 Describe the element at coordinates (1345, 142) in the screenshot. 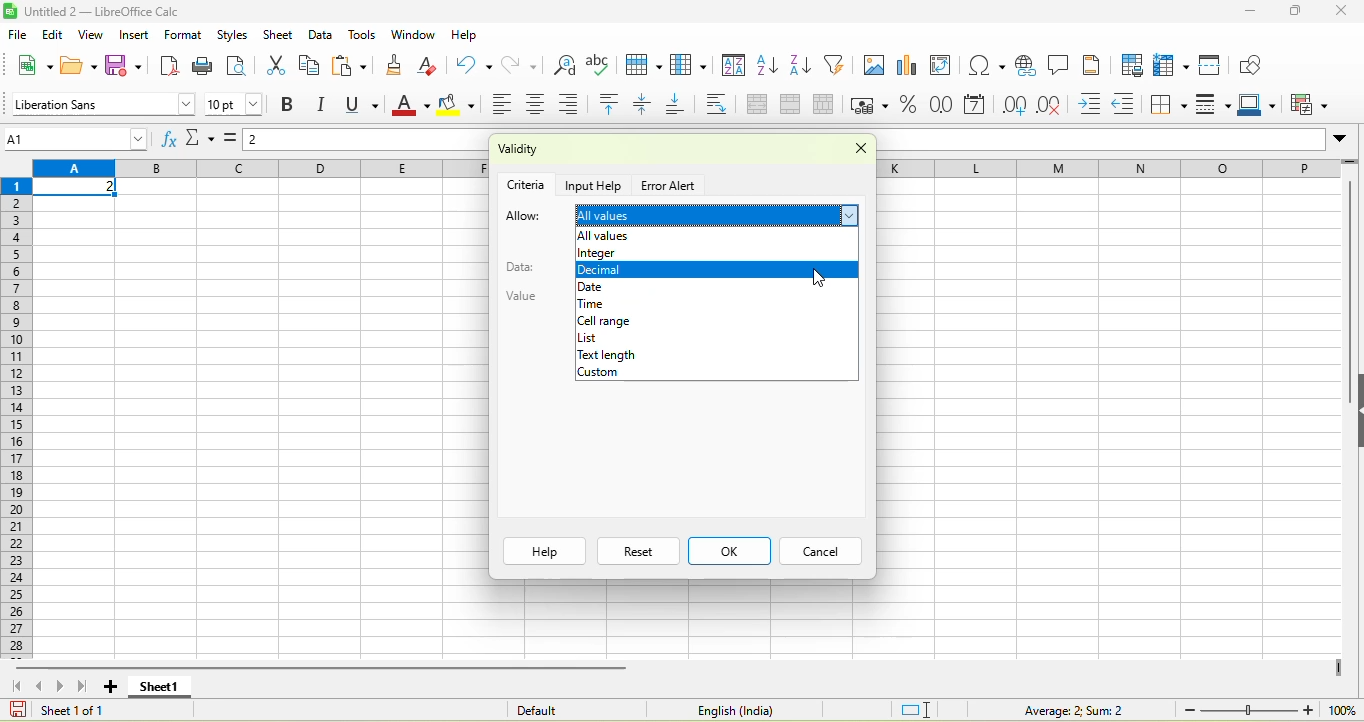

I see `expand formula bar` at that location.